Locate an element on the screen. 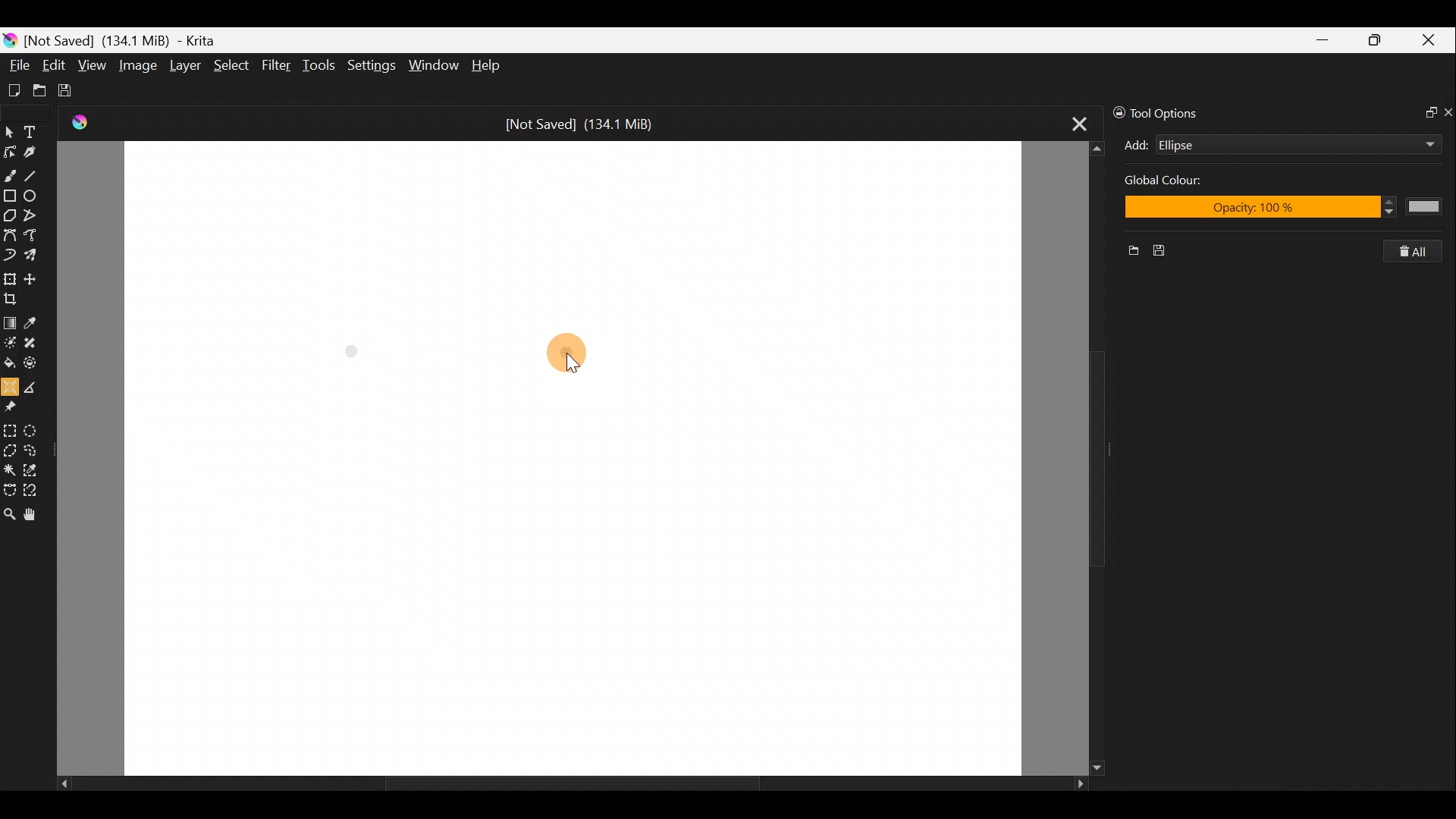 The height and width of the screenshot is (819, 1456). Scroll bar is located at coordinates (1078, 457).